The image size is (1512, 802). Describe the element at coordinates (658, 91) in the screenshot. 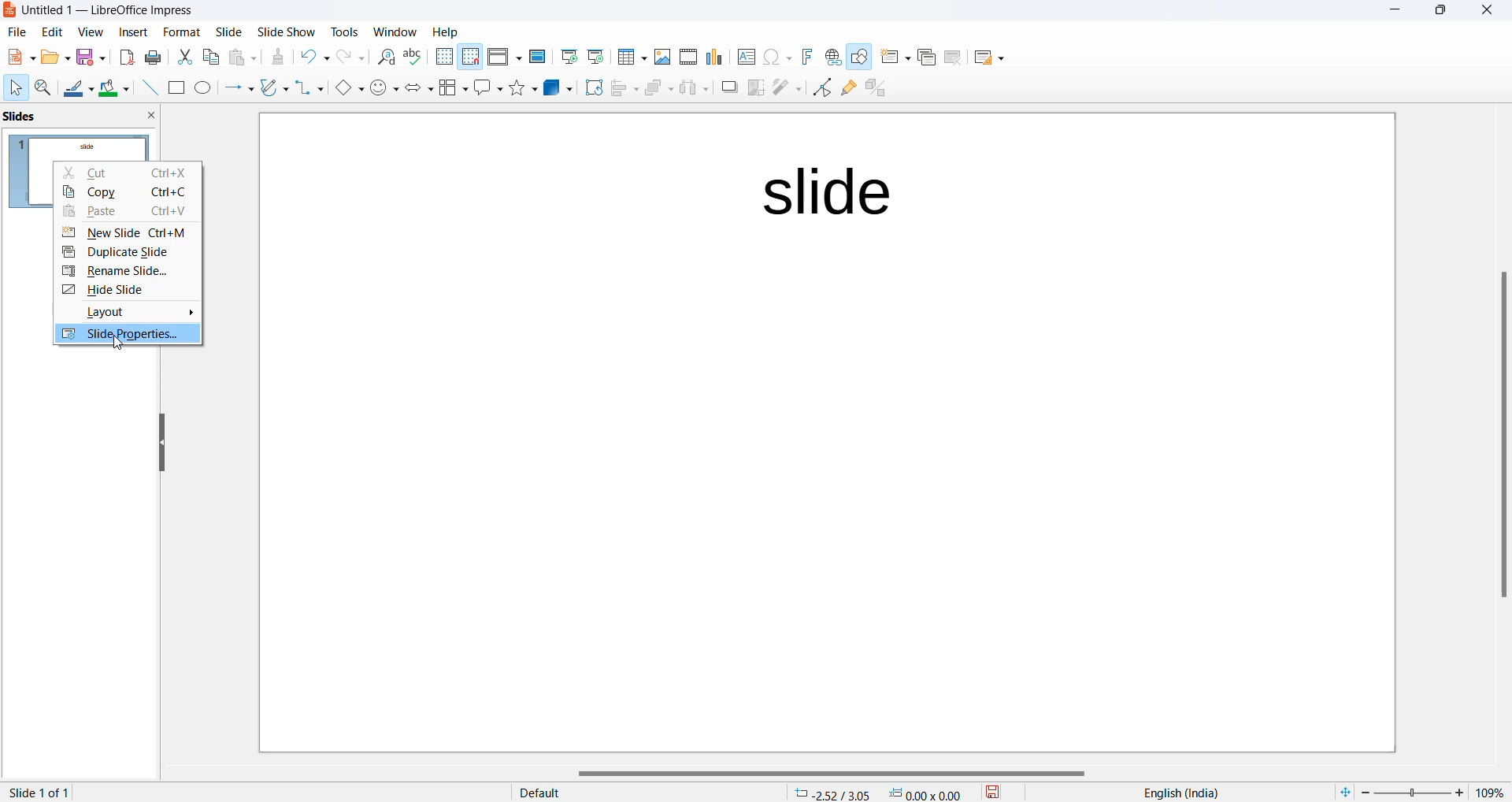

I see `arrange` at that location.